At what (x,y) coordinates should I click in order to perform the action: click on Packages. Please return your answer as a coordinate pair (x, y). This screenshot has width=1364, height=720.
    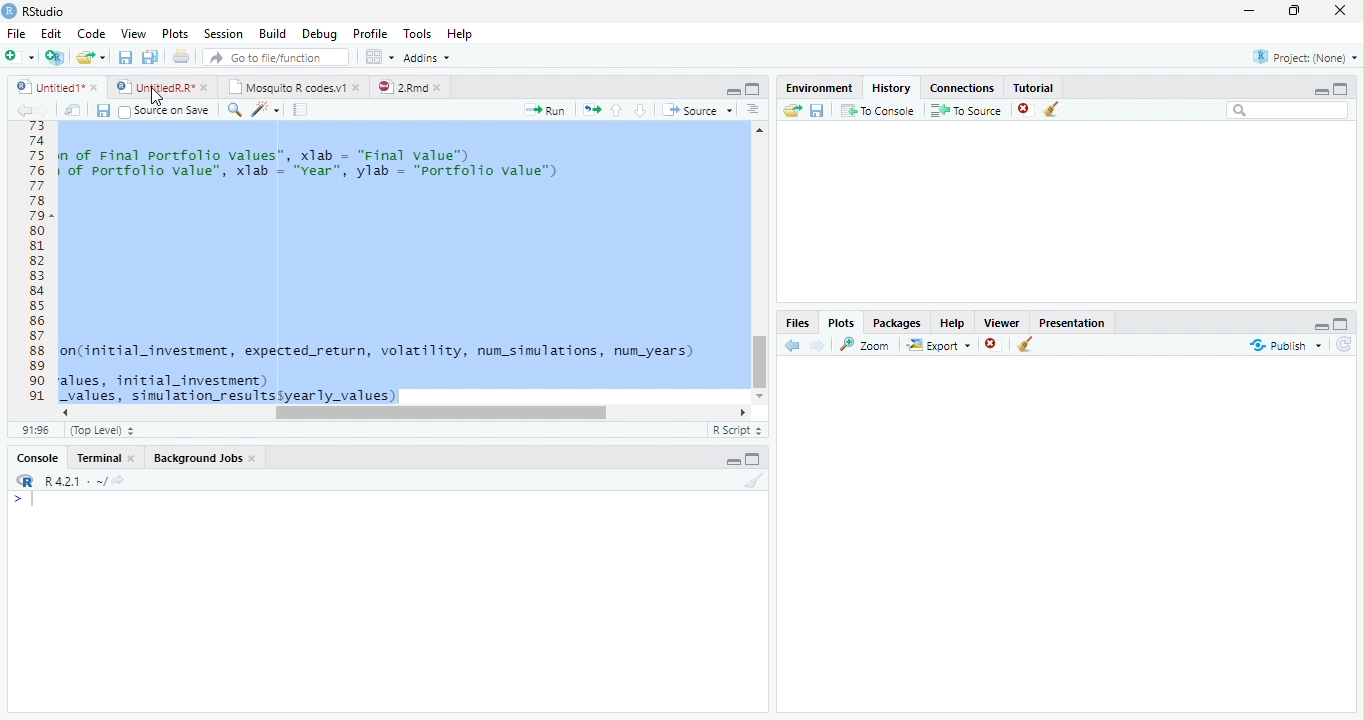
    Looking at the image, I should click on (896, 321).